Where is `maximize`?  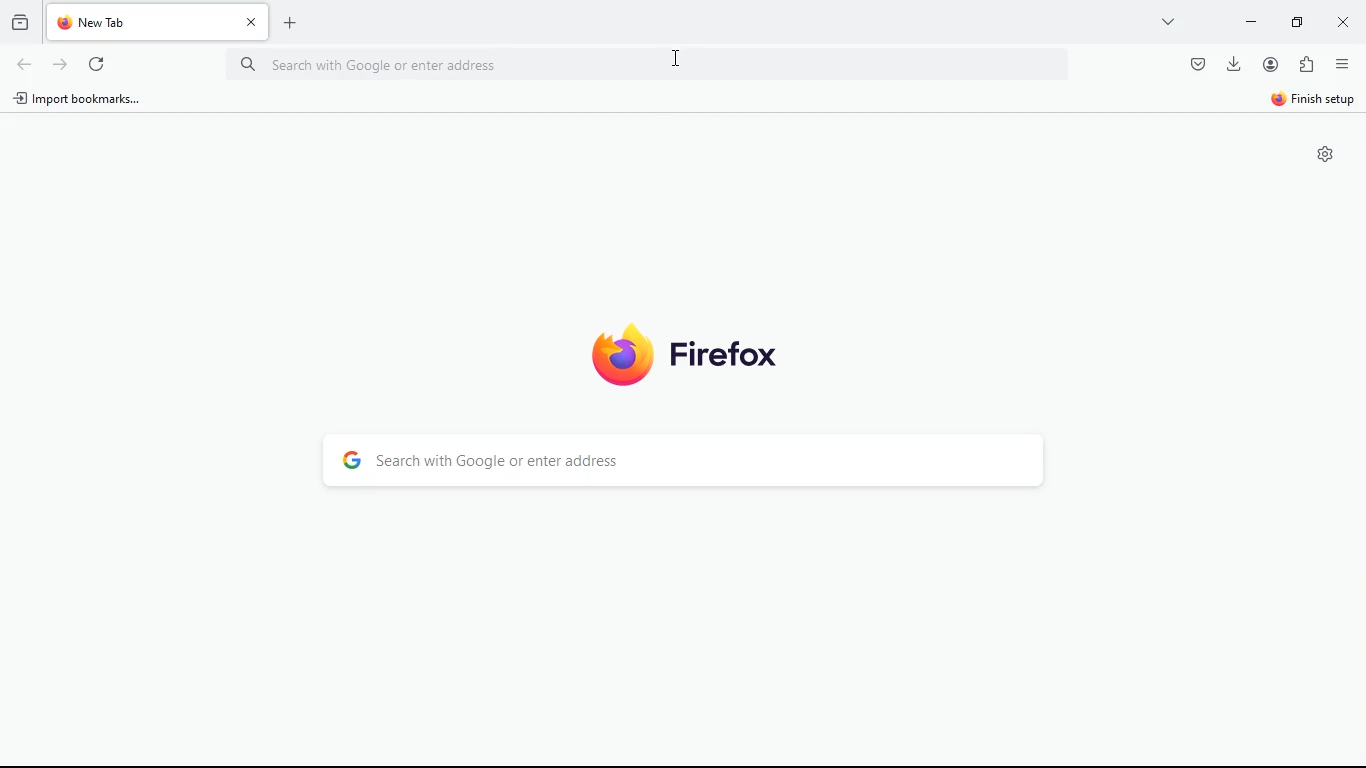
maximize is located at coordinates (1296, 22).